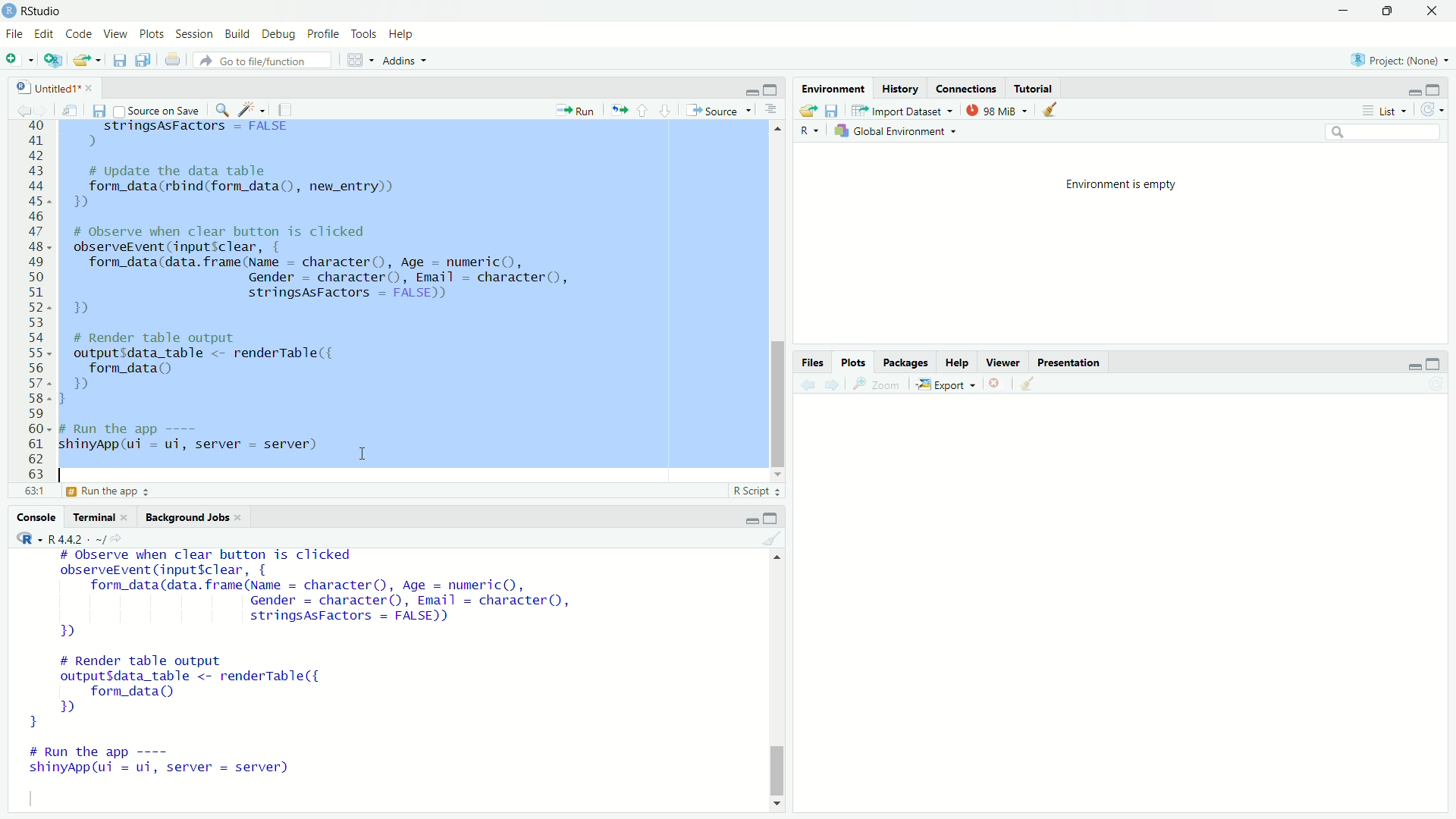  What do you see at coordinates (18, 60) in the screenshot?
I see `new file` at bounding box center [18, 60].